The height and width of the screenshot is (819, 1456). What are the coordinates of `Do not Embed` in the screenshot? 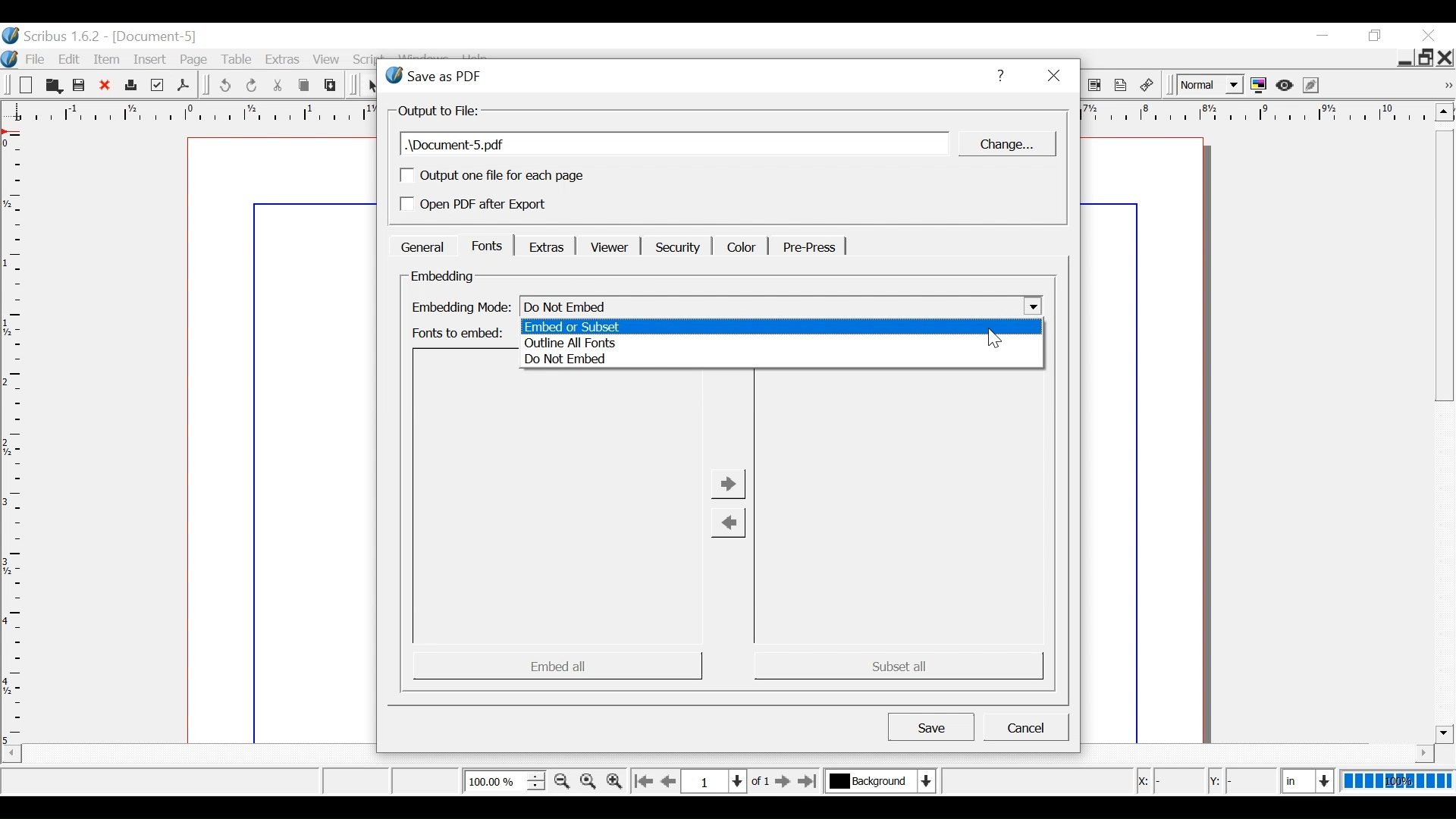 It's located at (783, 360).